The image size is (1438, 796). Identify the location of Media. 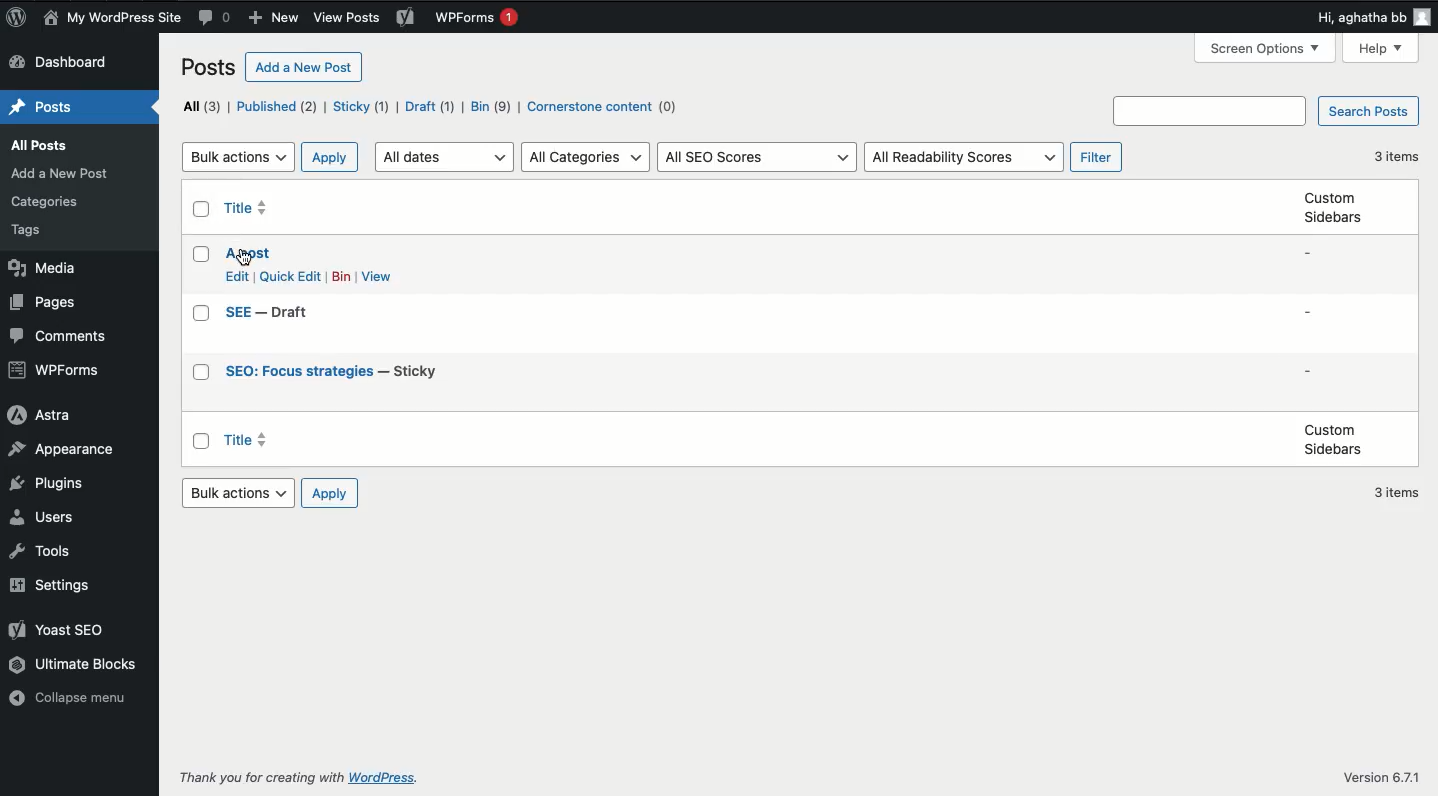
(49, 267).